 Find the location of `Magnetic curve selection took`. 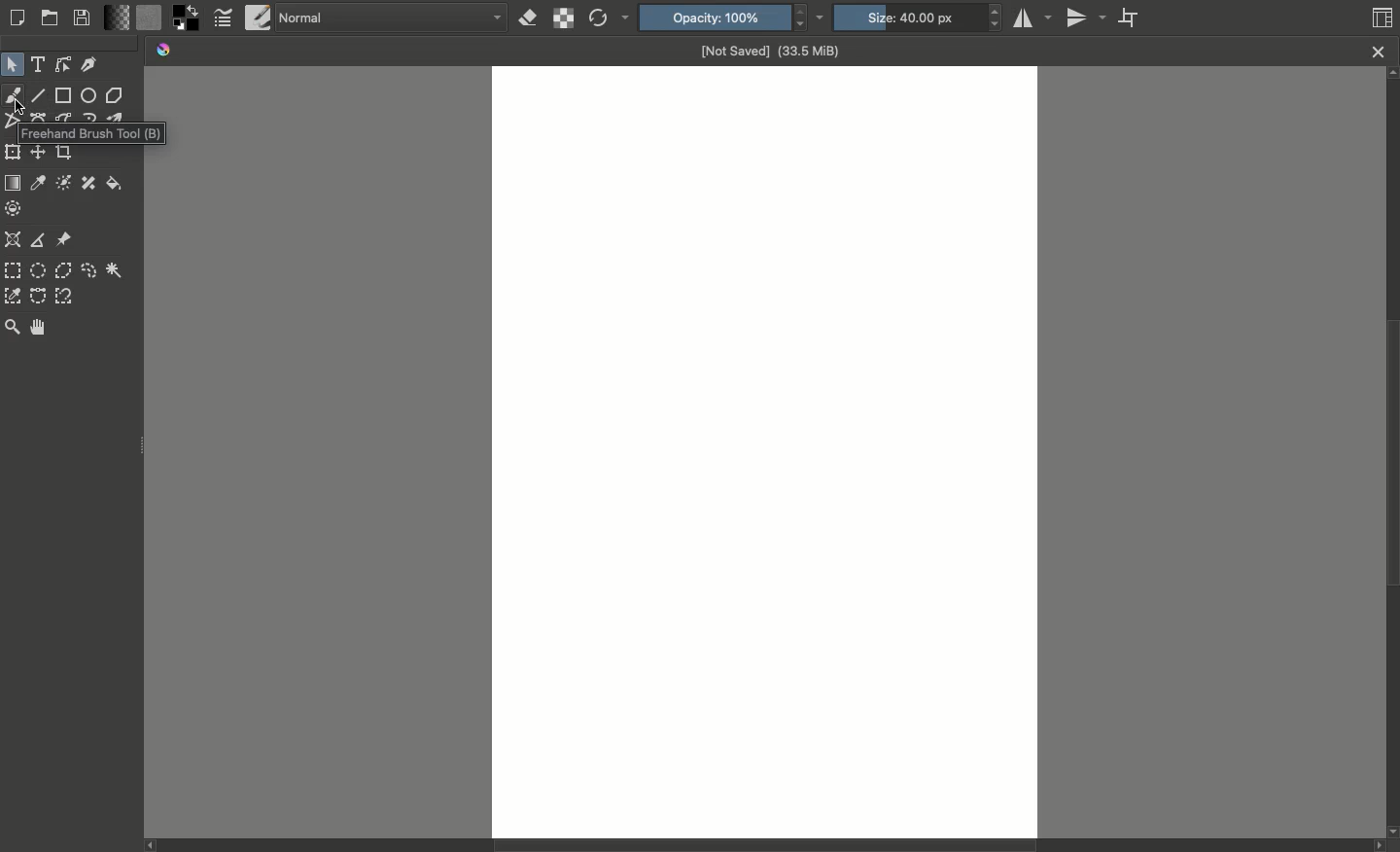

Magnetic curve selection took is located at coordinates (64, 296).